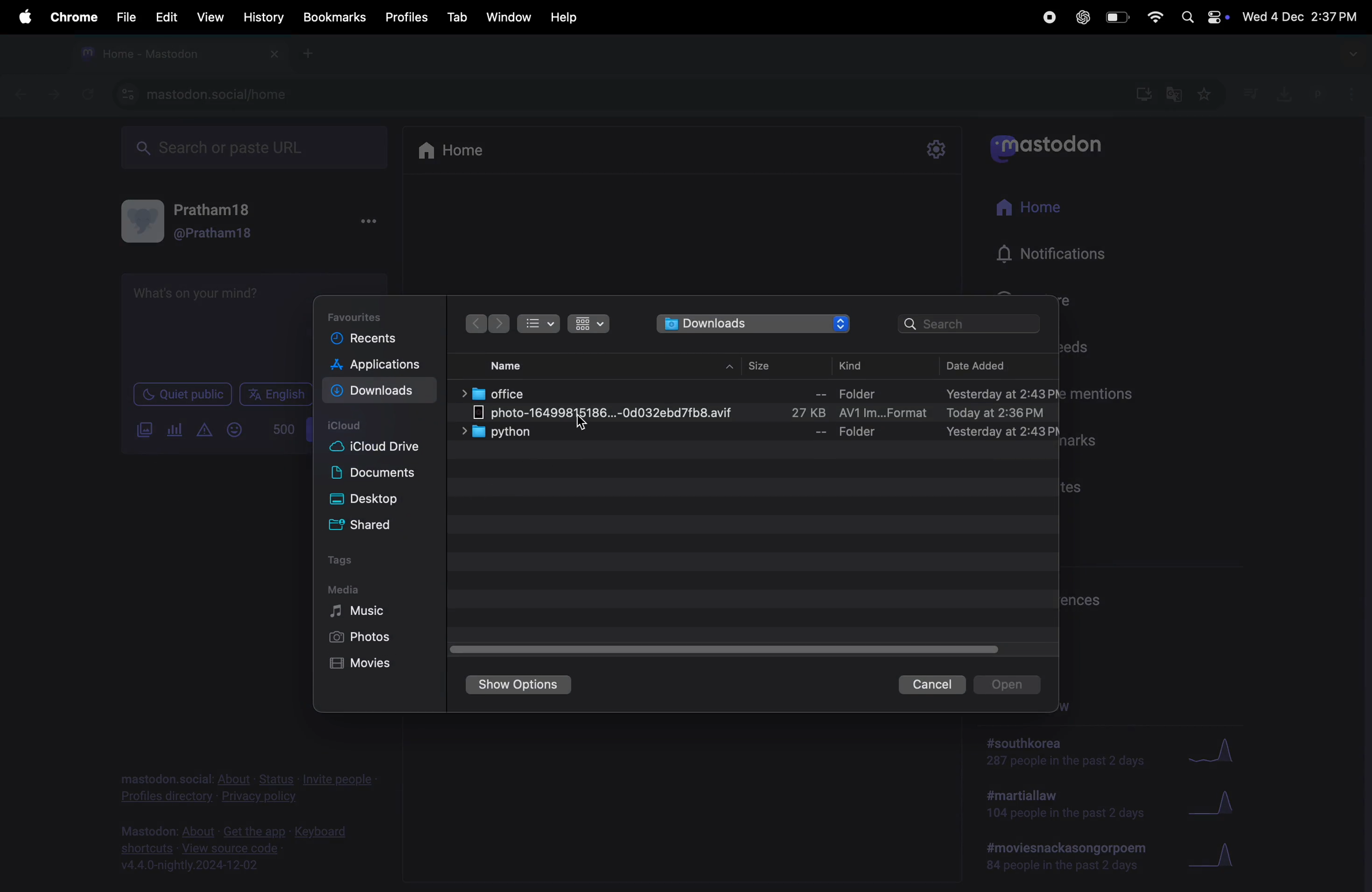 The width and height of the screenshot is (1372, 892). What do you see at coordinates (755, 324) in the screenshot?
I see `downloads` at bounding box center [755, 324].